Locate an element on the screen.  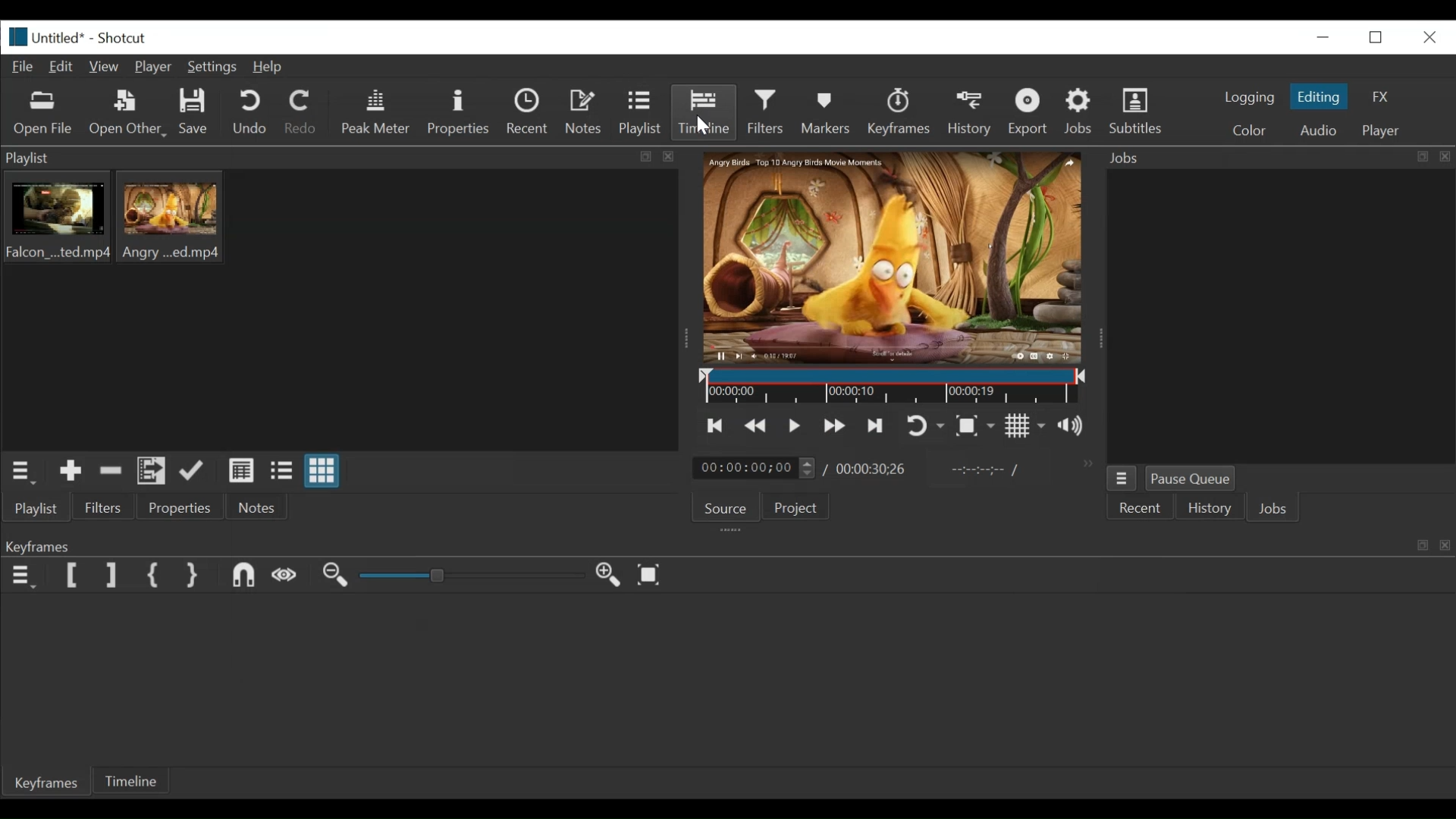
play forward quickly is located at coordinates (836, 428).